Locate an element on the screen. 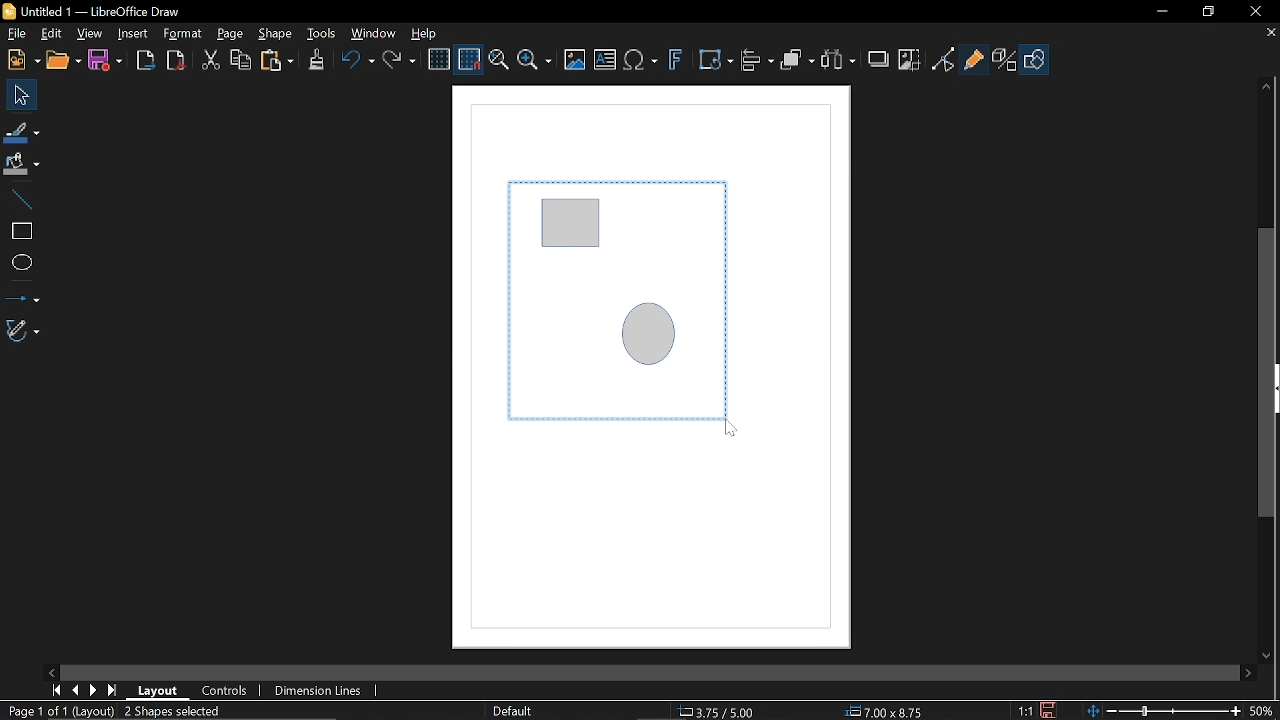 This screenshot has width=1280, height=720. Last page is located at coordinates (115, 691).